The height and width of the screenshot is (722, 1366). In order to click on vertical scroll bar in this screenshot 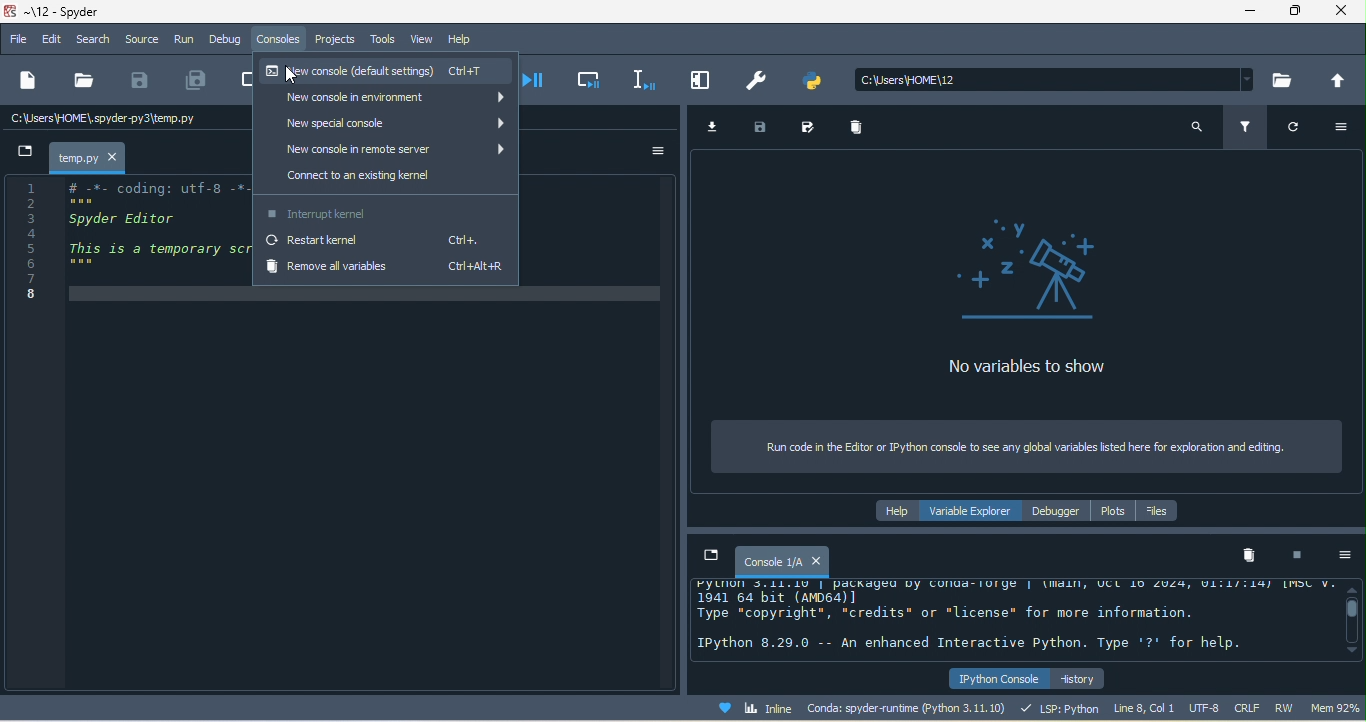, I will do `click(1351, 617)`.